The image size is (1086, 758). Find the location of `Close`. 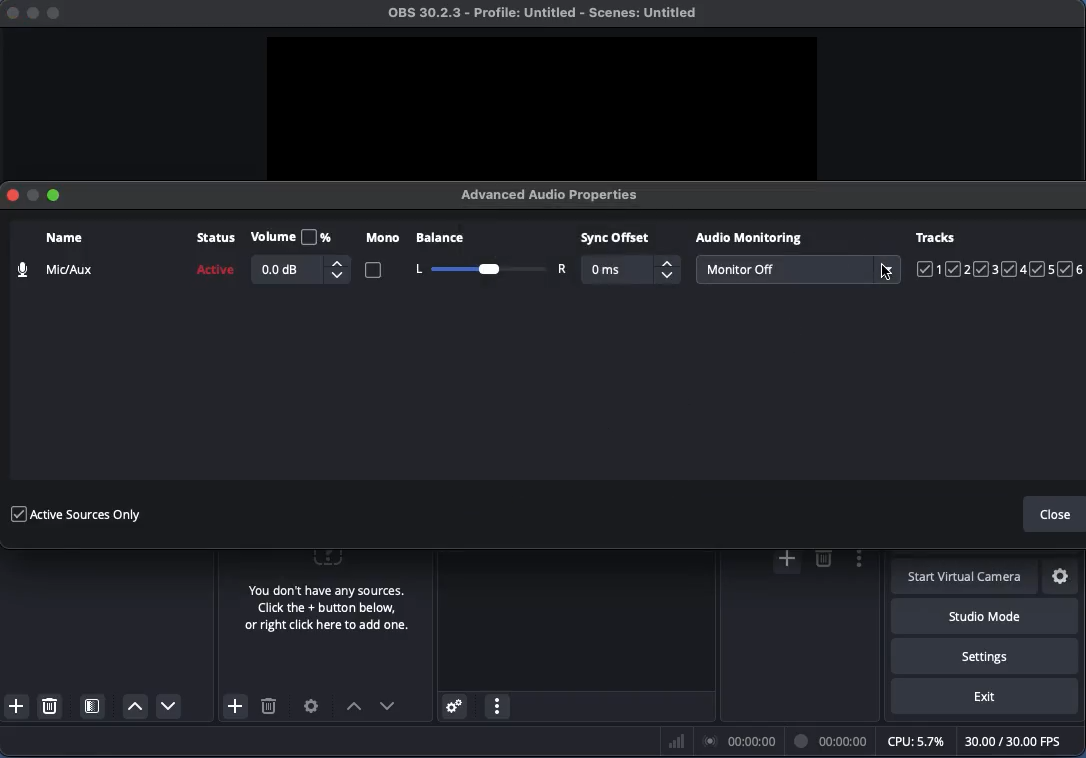

Close is located at coordinates (1055, 516).